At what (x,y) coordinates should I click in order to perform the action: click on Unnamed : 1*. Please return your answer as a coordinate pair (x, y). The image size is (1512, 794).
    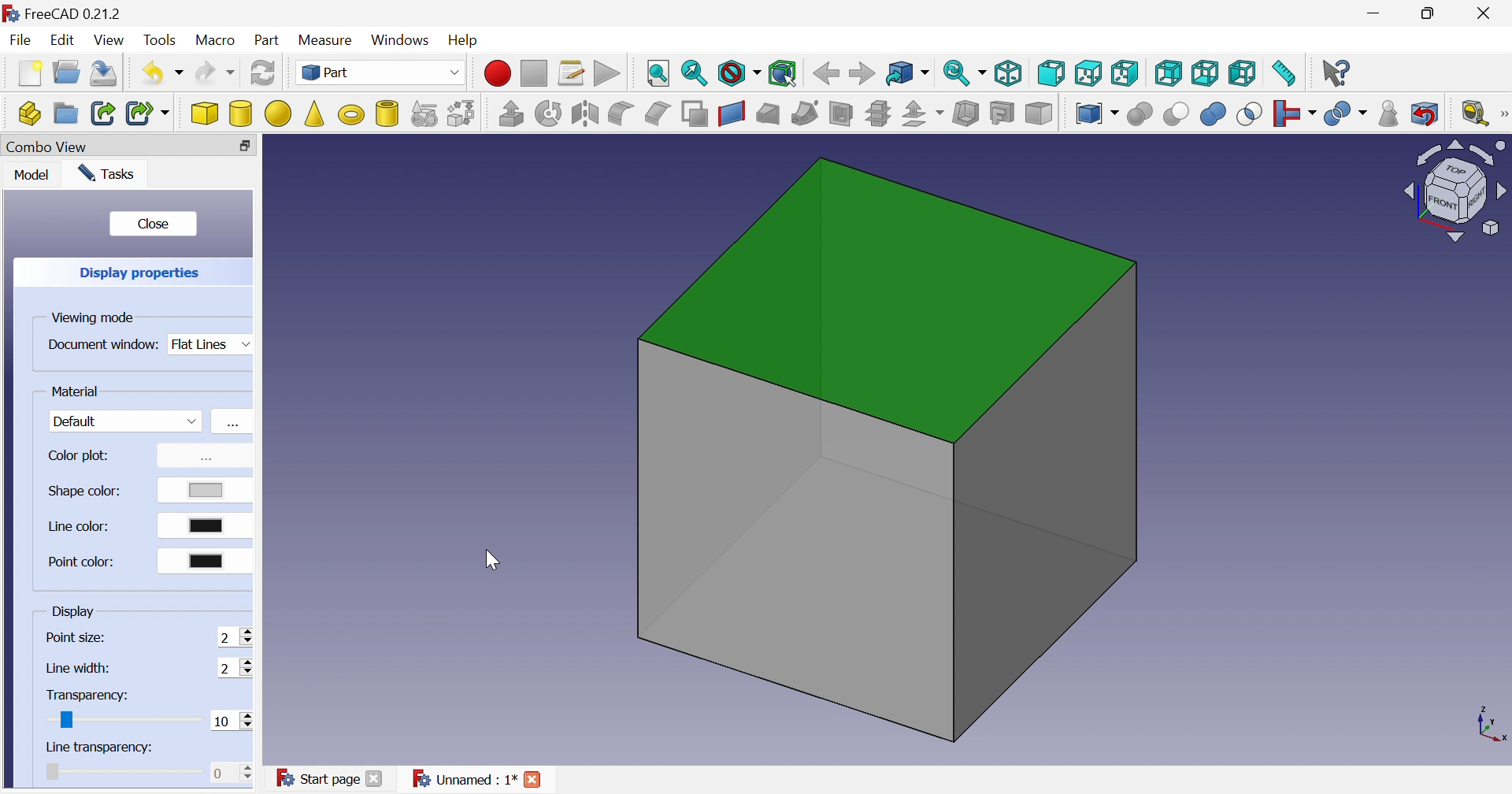
    Looking at the image, I should click on (463, 778).